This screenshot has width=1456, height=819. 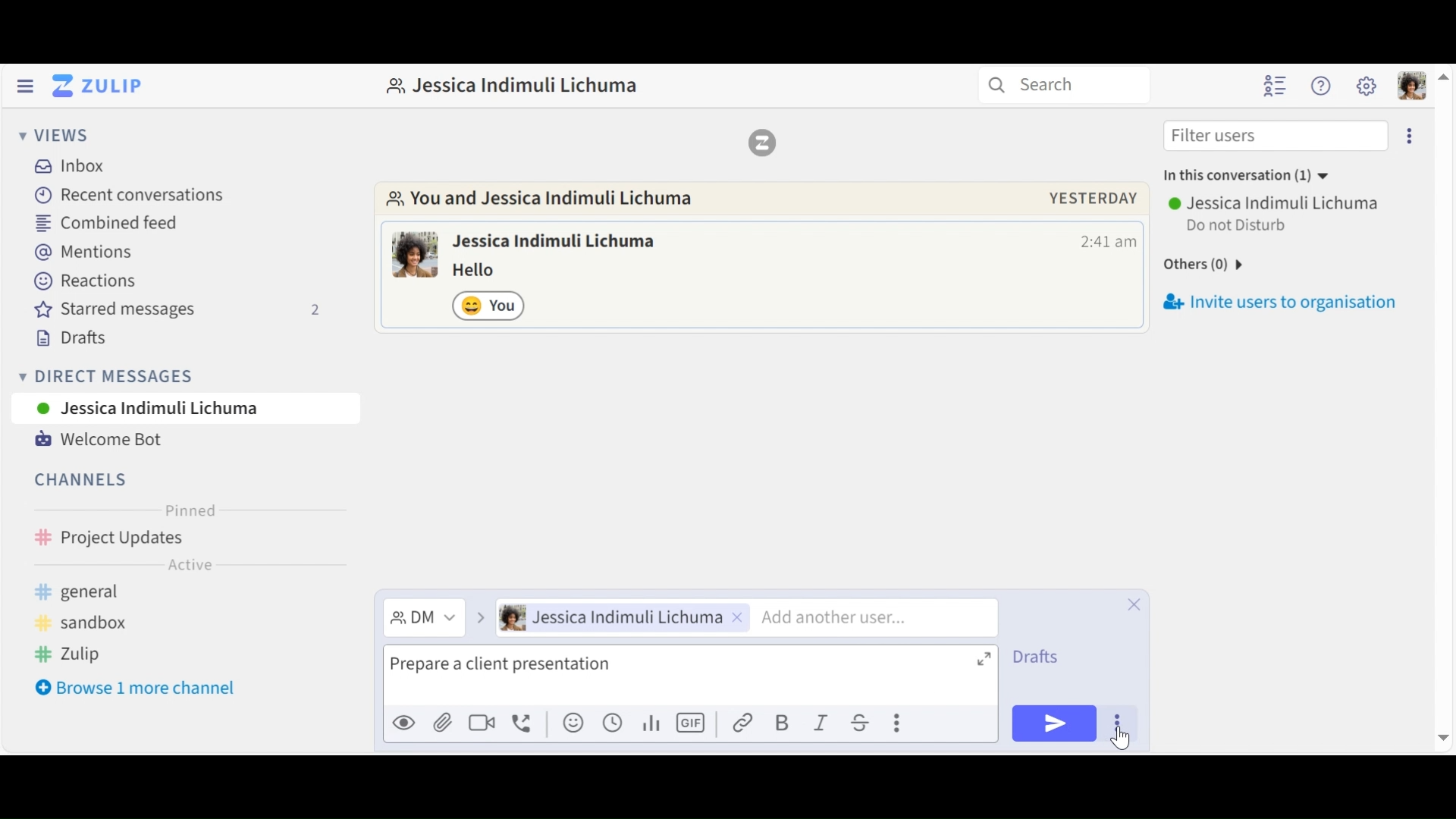 I want to click on Browse more channel, so click(x=146, y=690).